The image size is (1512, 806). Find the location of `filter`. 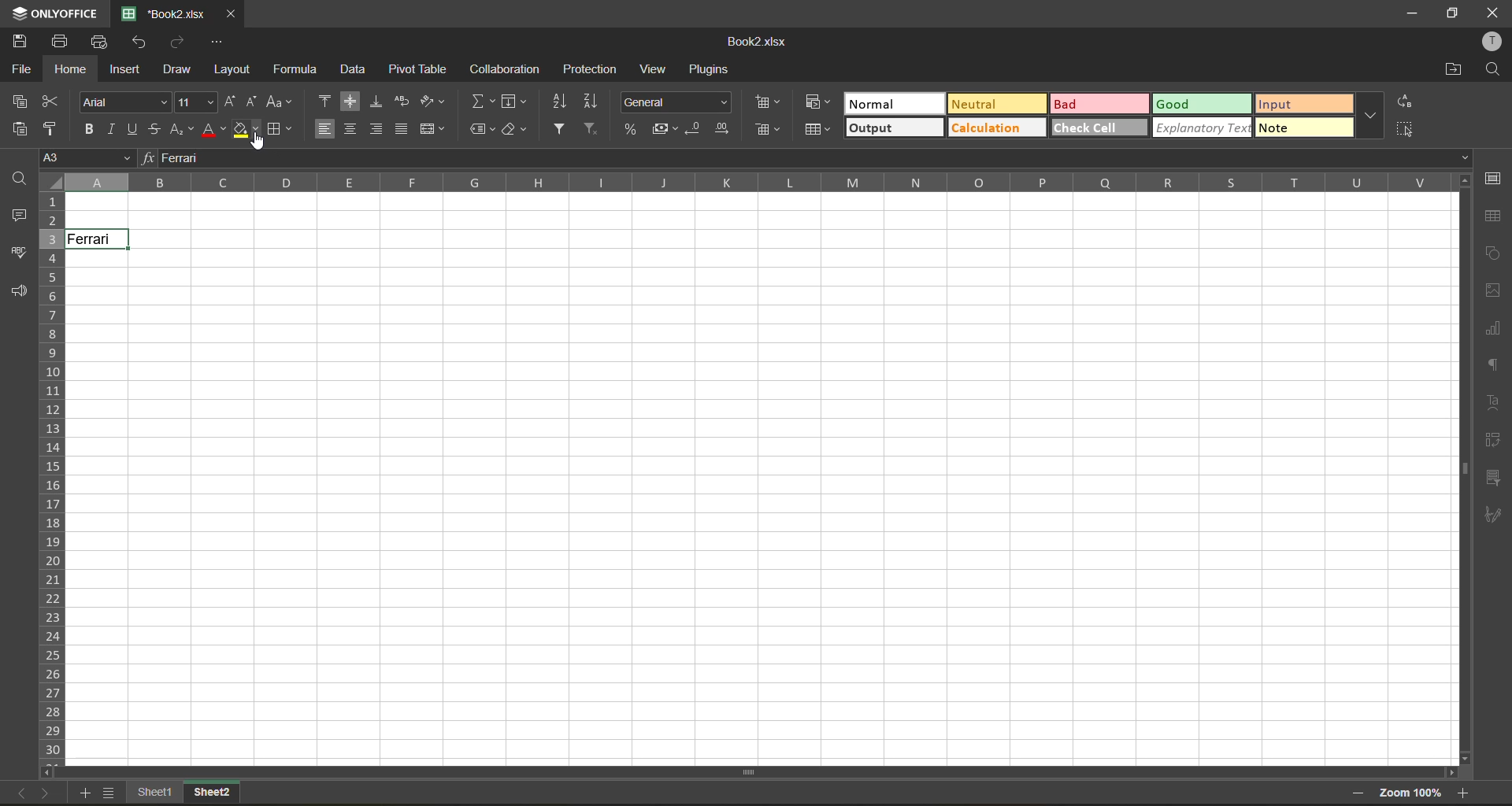

filter is located at coordinates (561, 129).